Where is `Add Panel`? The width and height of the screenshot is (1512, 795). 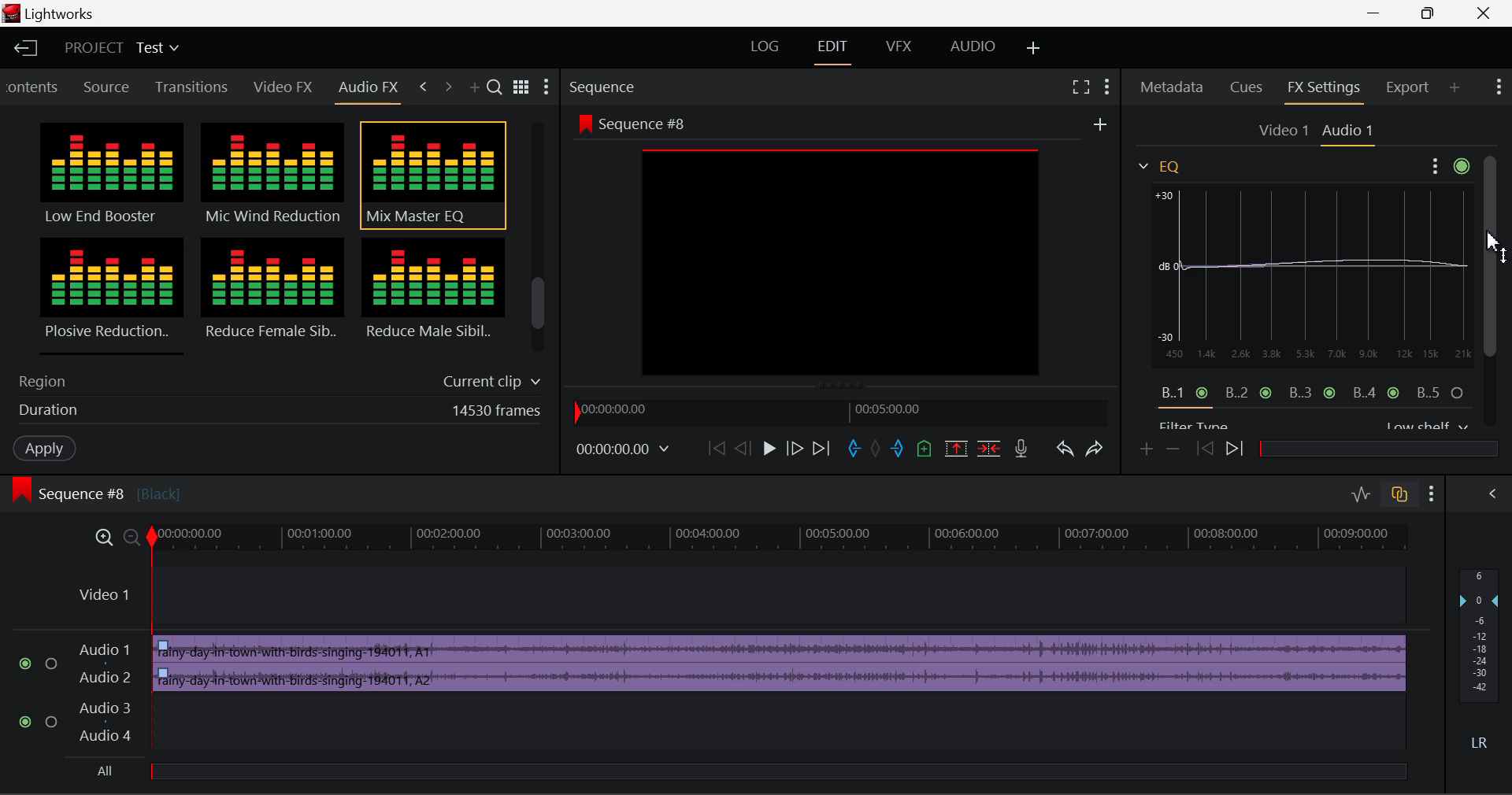 Add Panel is located at coordinates (476, 89).